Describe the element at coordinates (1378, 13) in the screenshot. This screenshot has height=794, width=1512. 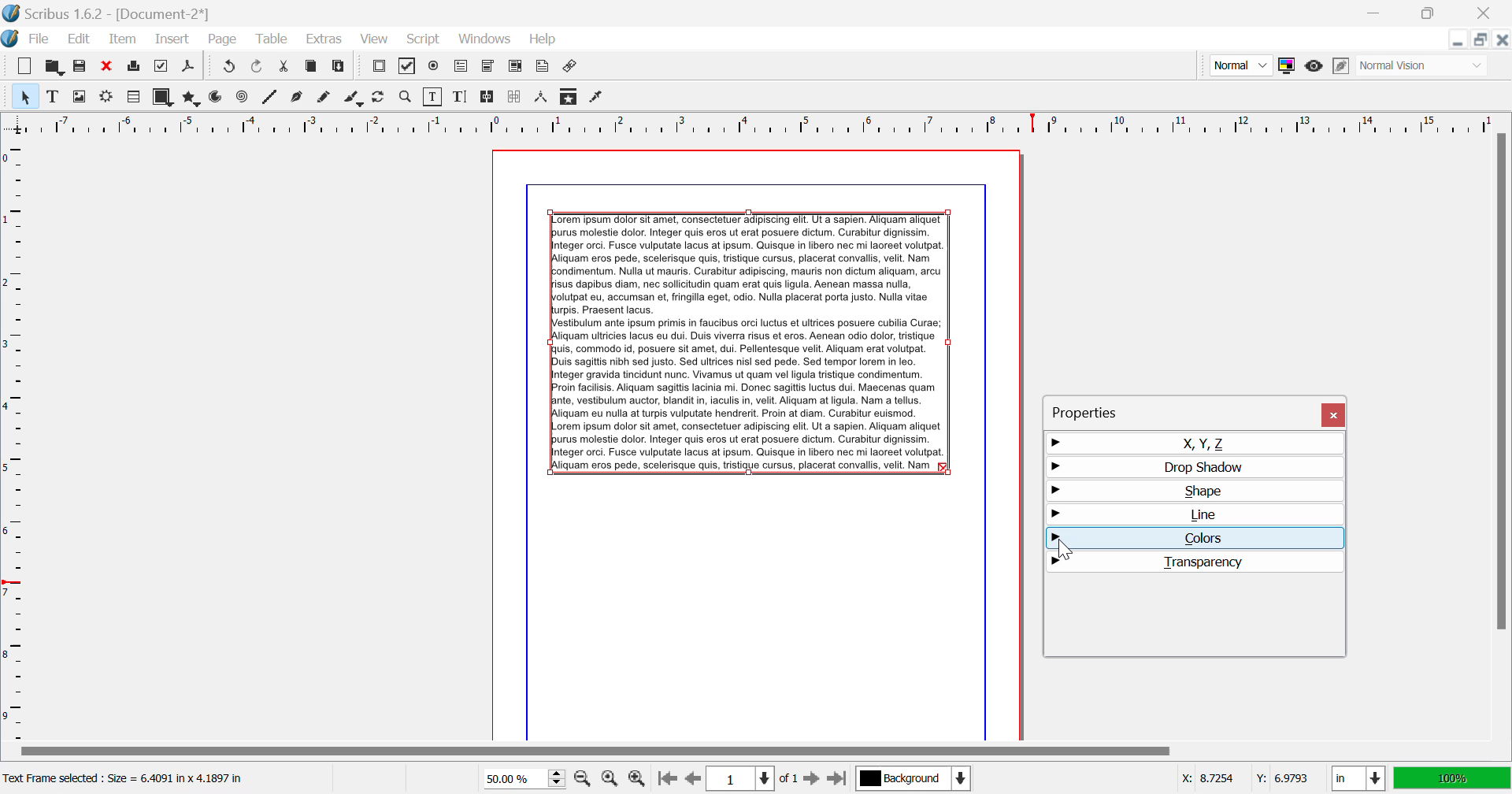
I see `Restore Down` at that location.